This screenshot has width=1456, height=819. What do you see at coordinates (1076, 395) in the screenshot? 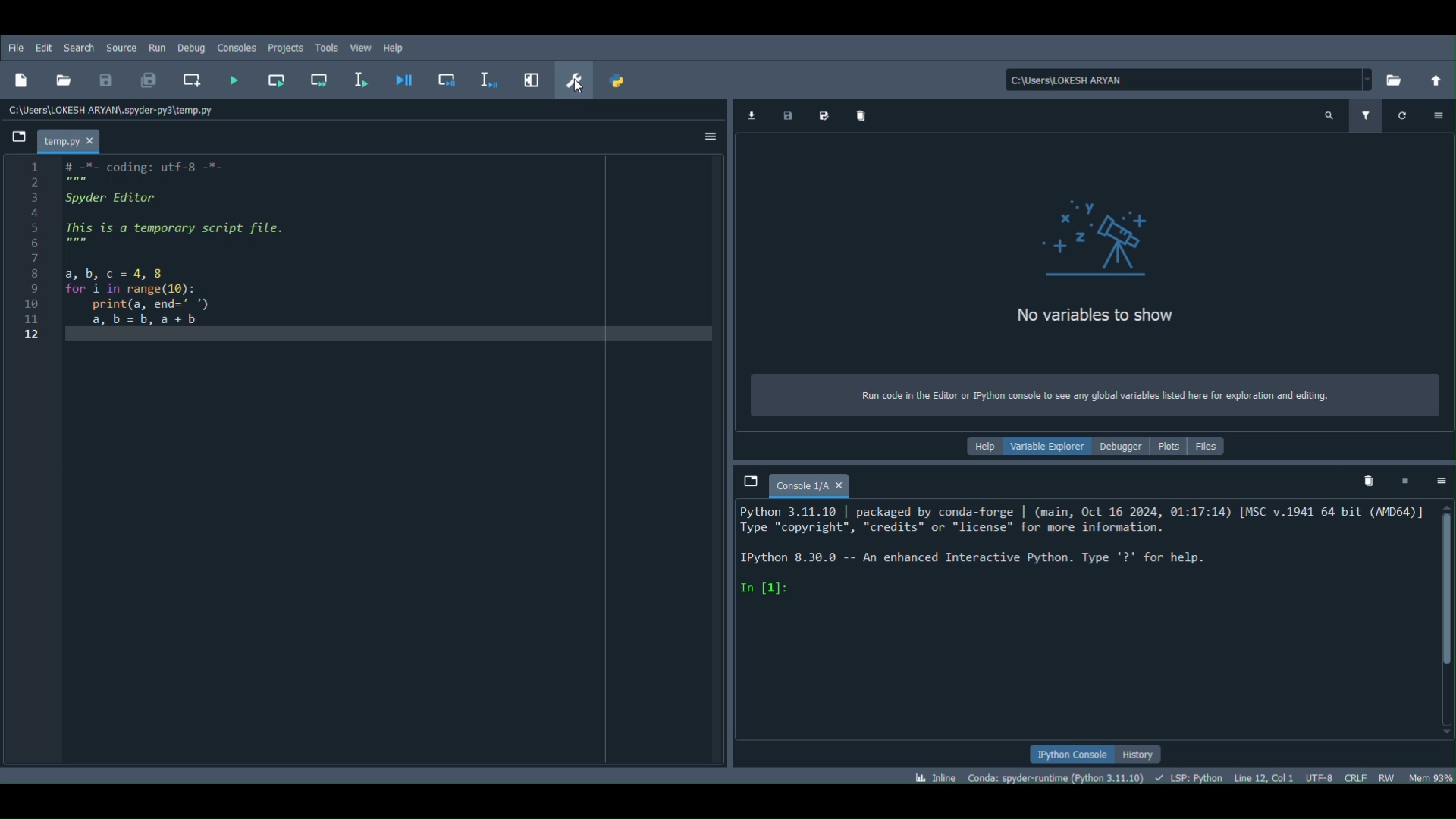
I see `Run code in the Editor or IPython console to see any global variables listed here for exploration and editing.` at bounding box center [1076, 395].